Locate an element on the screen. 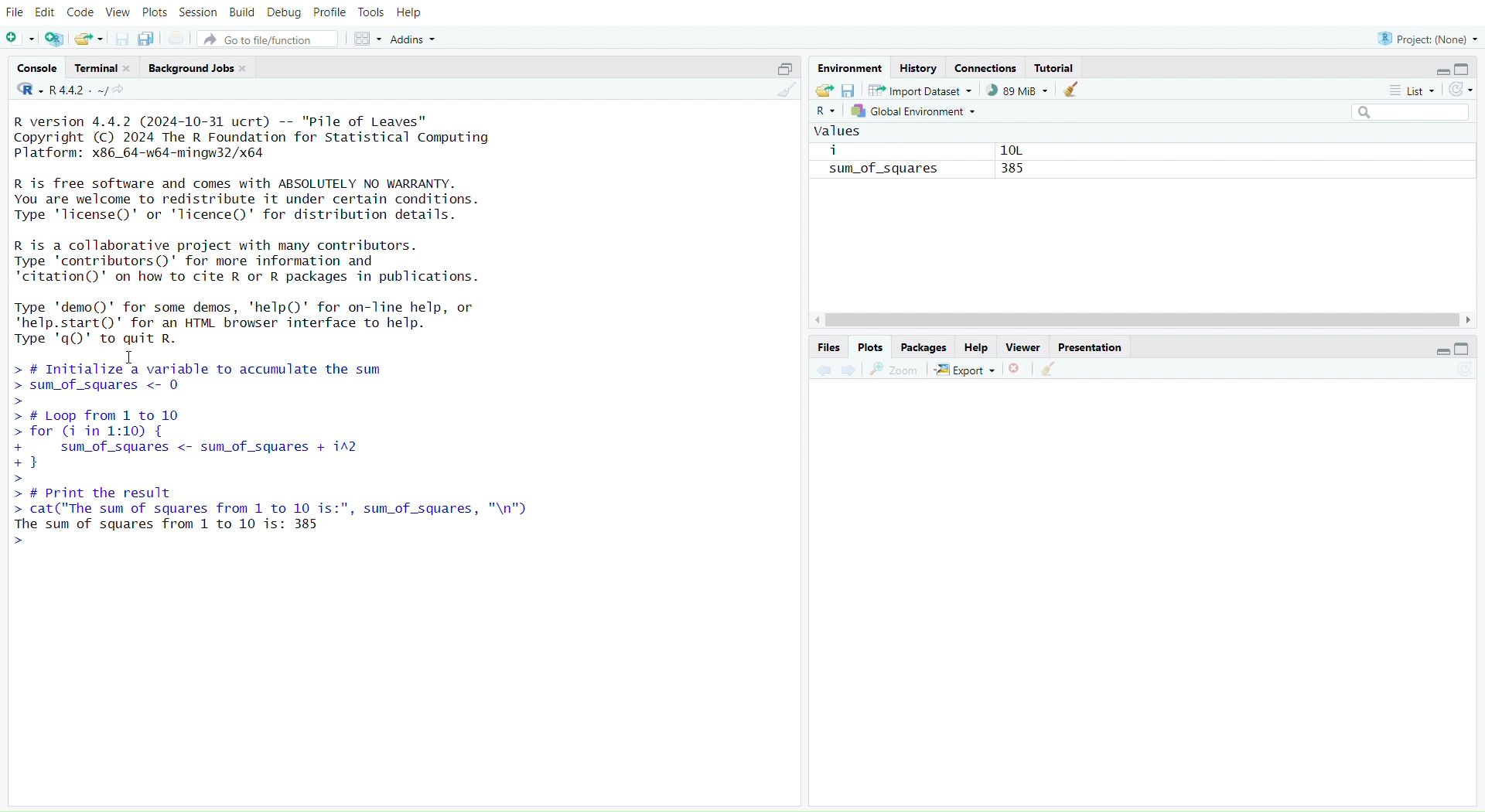 This screenshot has height=812, width=1485. tools is located at coordinates (372, 12).